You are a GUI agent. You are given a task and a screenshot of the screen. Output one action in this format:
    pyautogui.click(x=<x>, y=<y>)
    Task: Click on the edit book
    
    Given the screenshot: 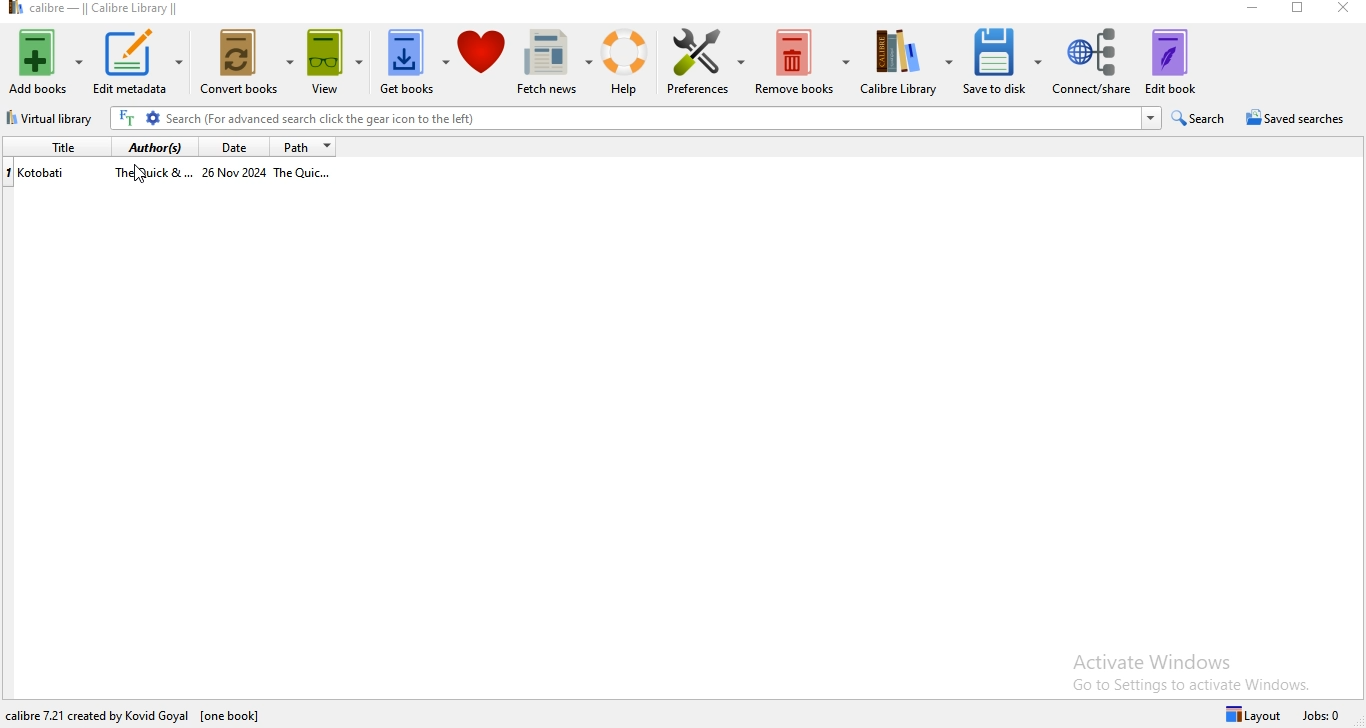 What is the action you would take?
    pyautogui.click(x=1170, y=61)
    